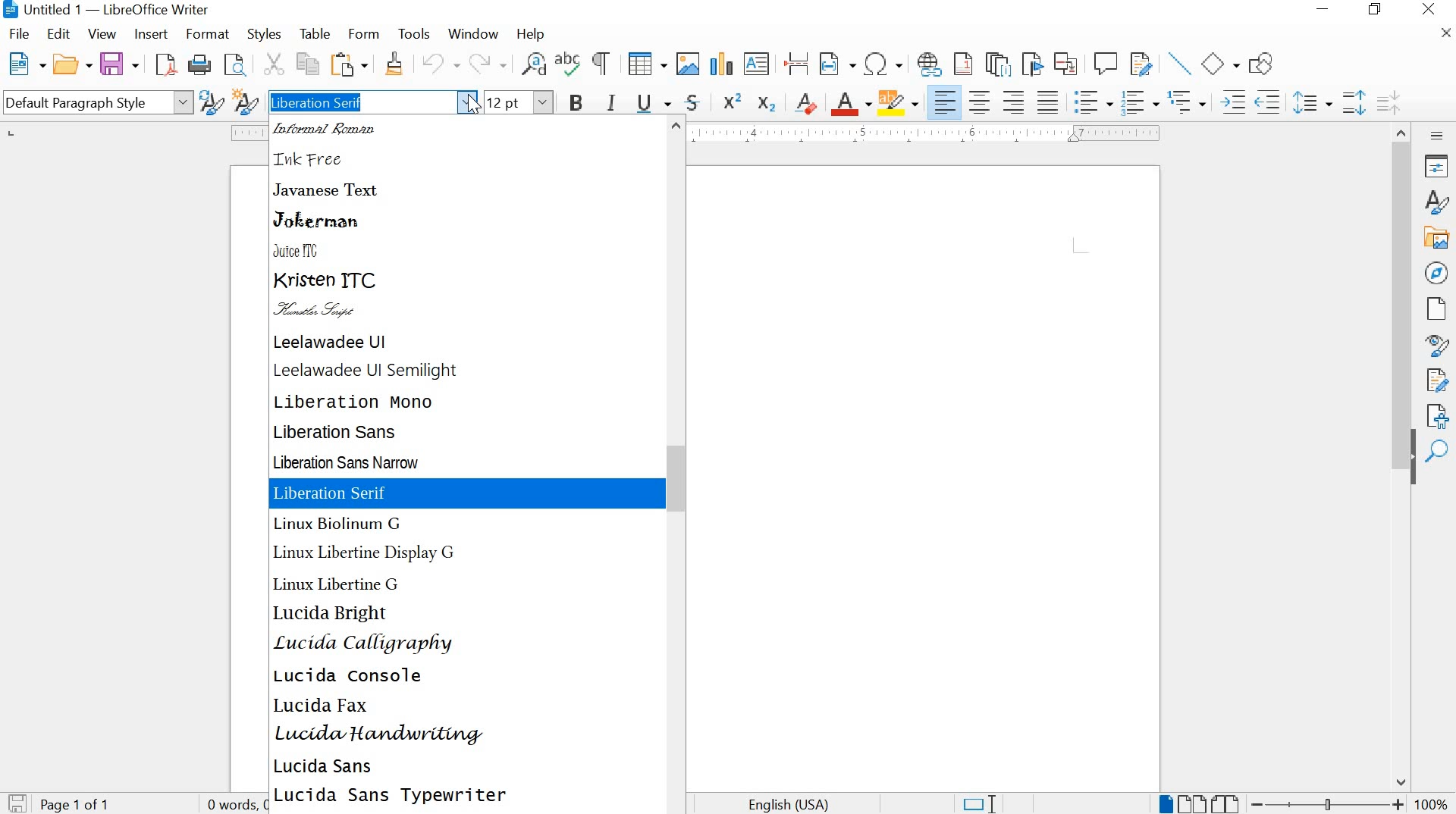 Image resolution: width=1456 pixels, height=814 pixels. What do you see at coordinates (334, 342) in the screenshot?
I see `LEELAWADEE UI` at bounding box center [334, 342].